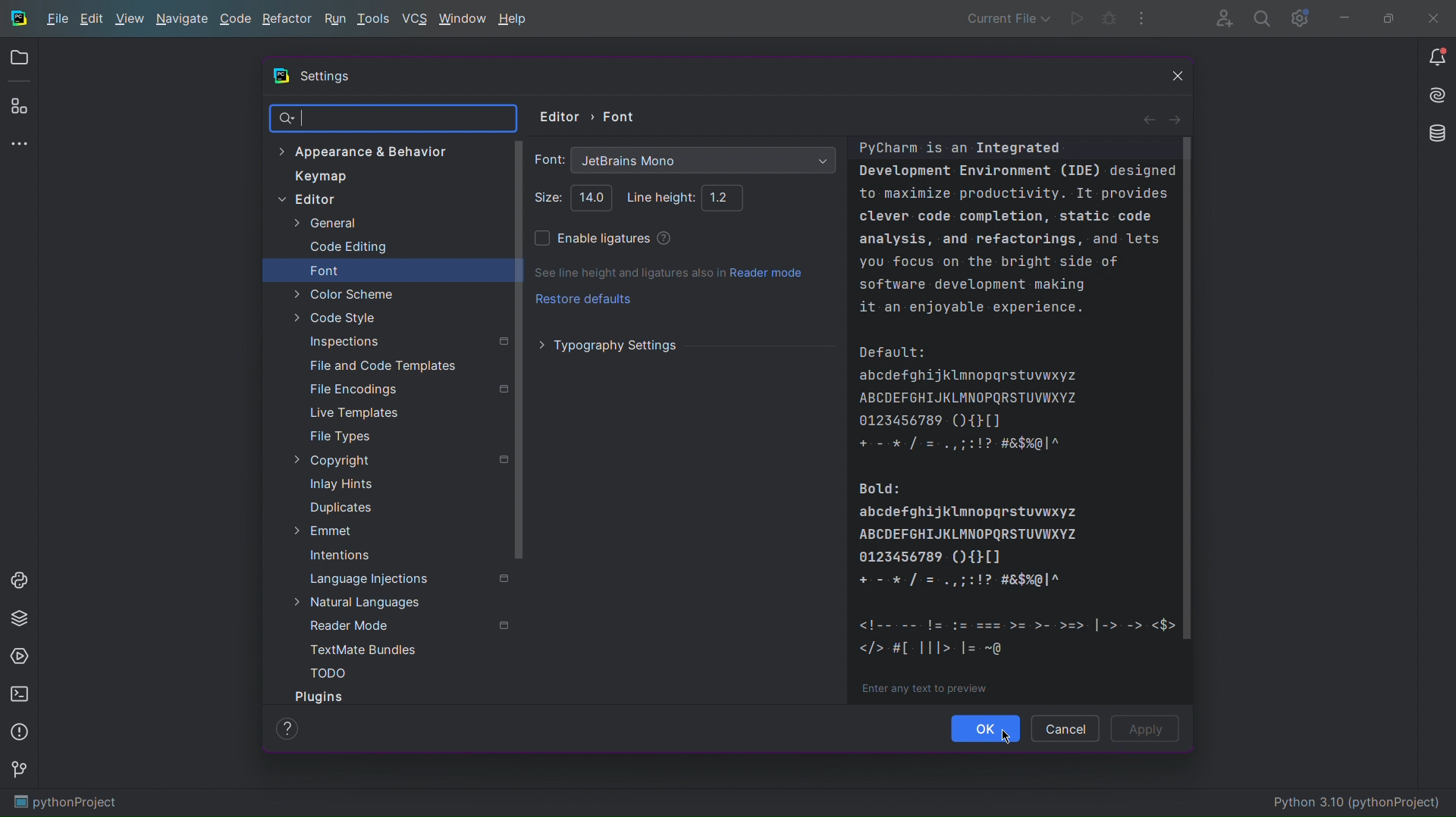 The height and width of the screenshot is (817, 1456). Describe the element at coordinates (22, 578) in the screenshot. I see `Python Console` at that location.